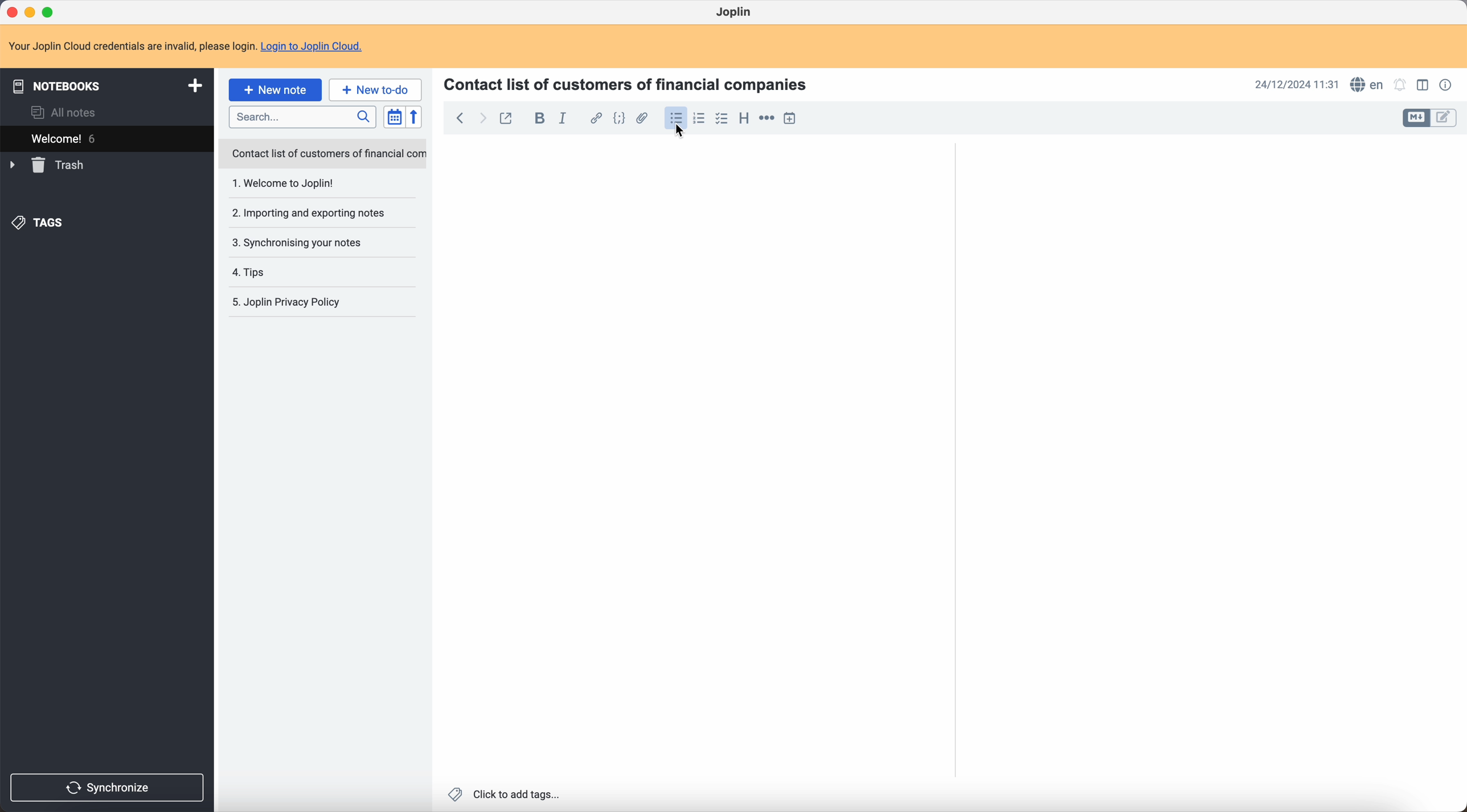 This screenshot has height=812, width=1467. Describe the element at coordinates (1366, 85) in the screenshot. I see `spell checker` at that location.